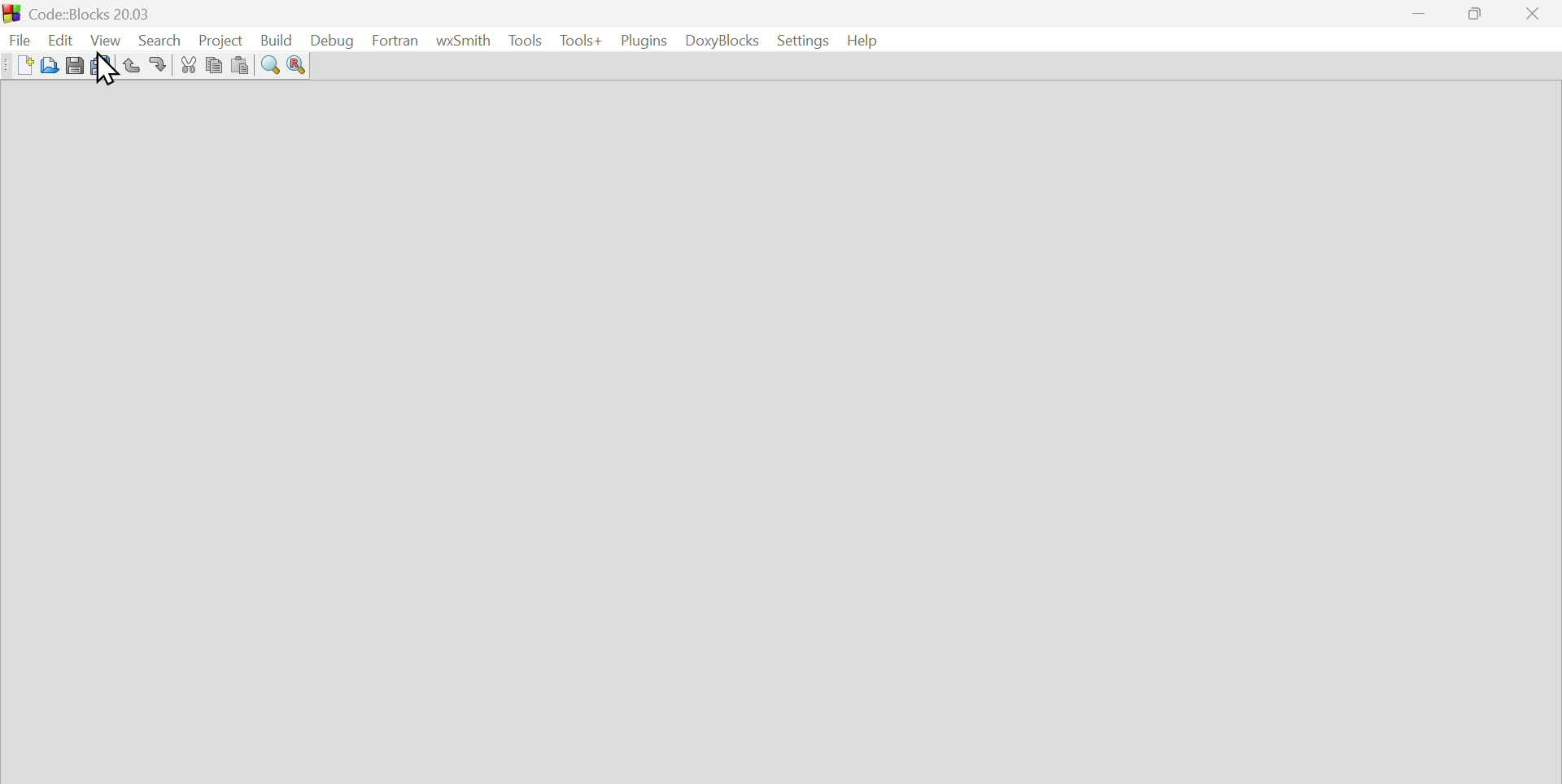 The height and width of the screenshot is (784, 1562). I want to click on cursor, so click(107, 70).